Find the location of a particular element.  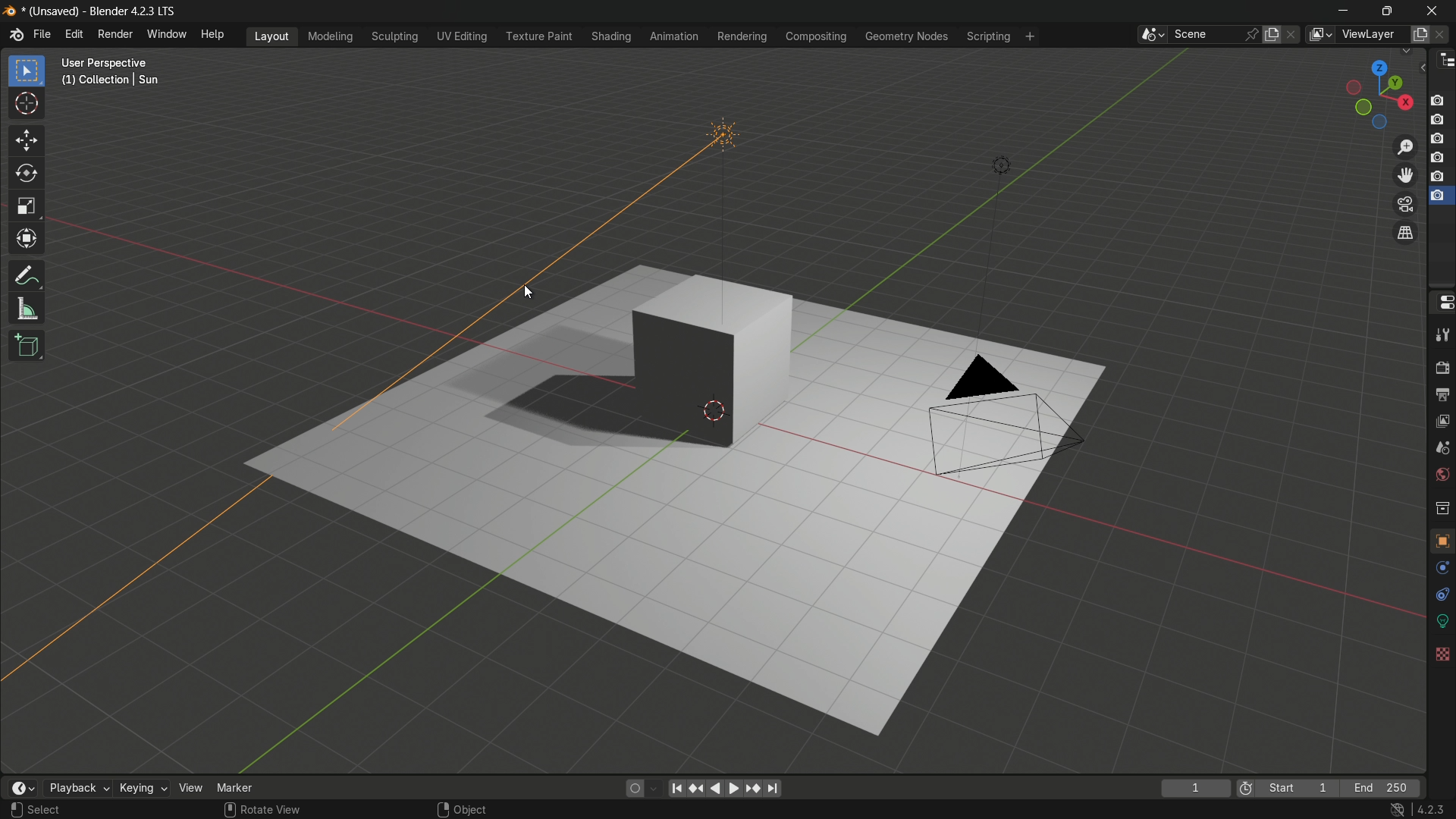

render is located at coordinates (1442, 366).